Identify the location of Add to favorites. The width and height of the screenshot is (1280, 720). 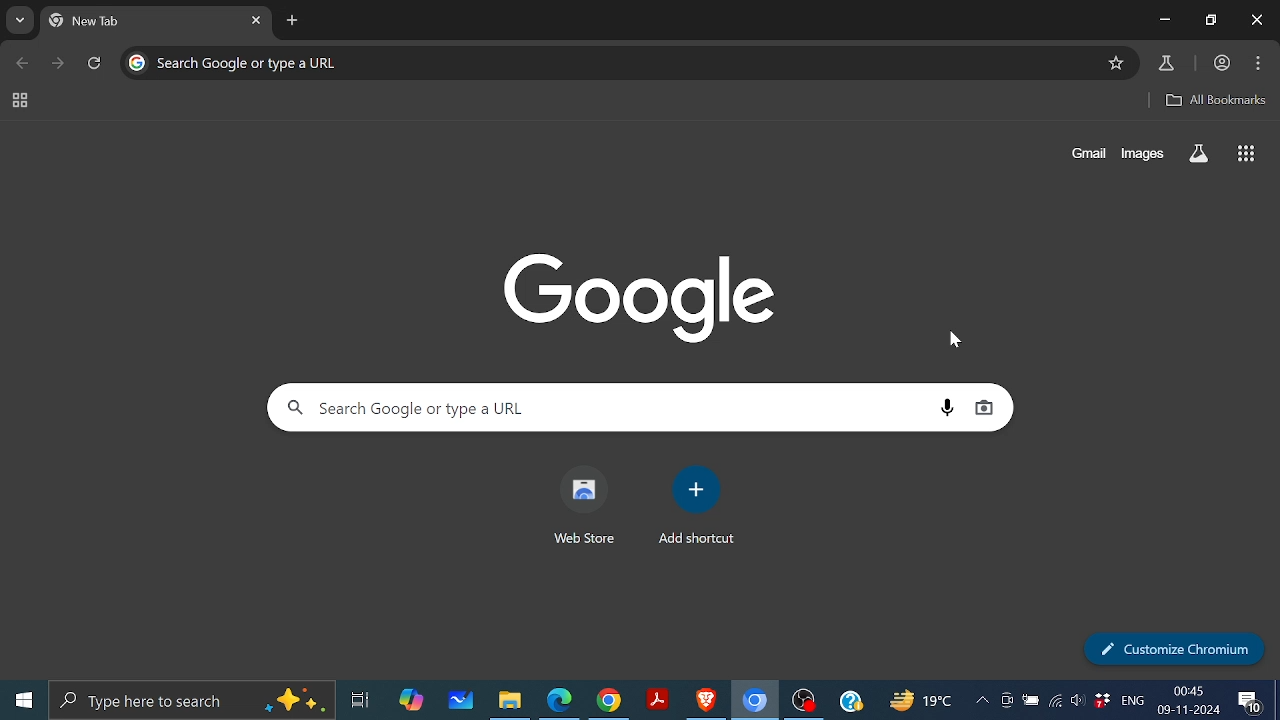
(1117, 64).